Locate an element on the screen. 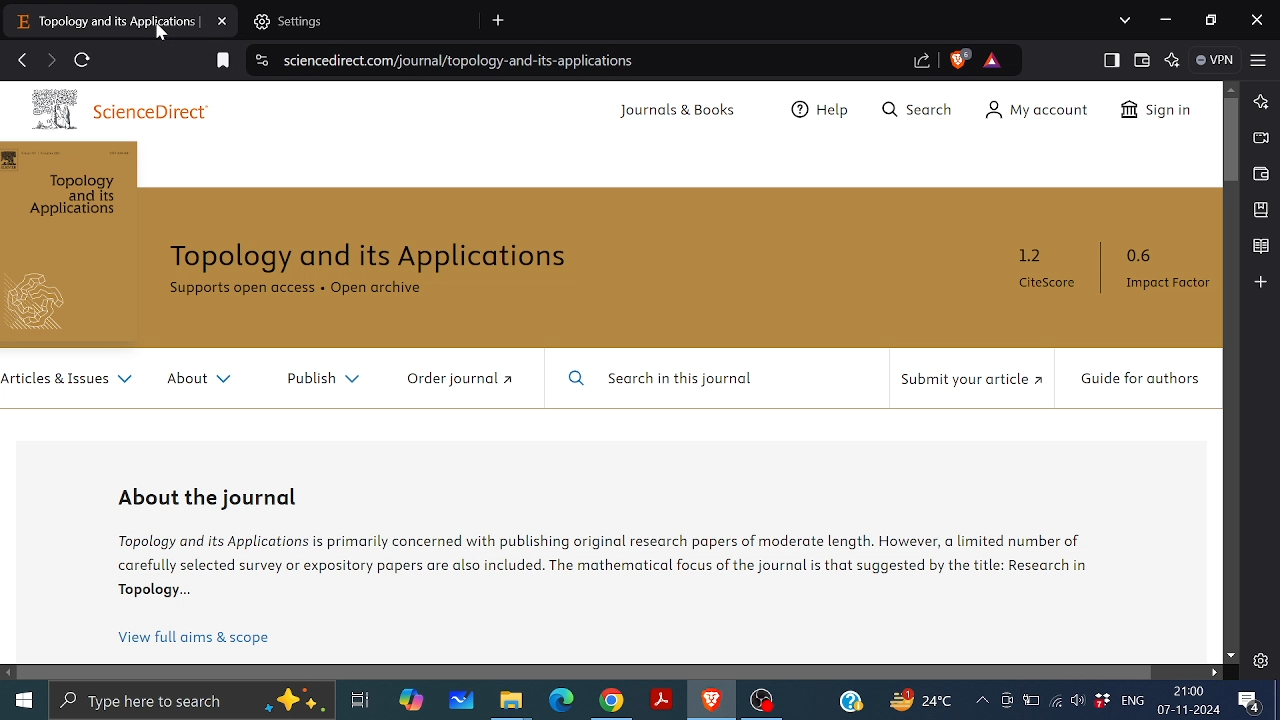 The height and width of the screenshot is (720, 1280). Guide for authors is located at coordinates (1141, 379).